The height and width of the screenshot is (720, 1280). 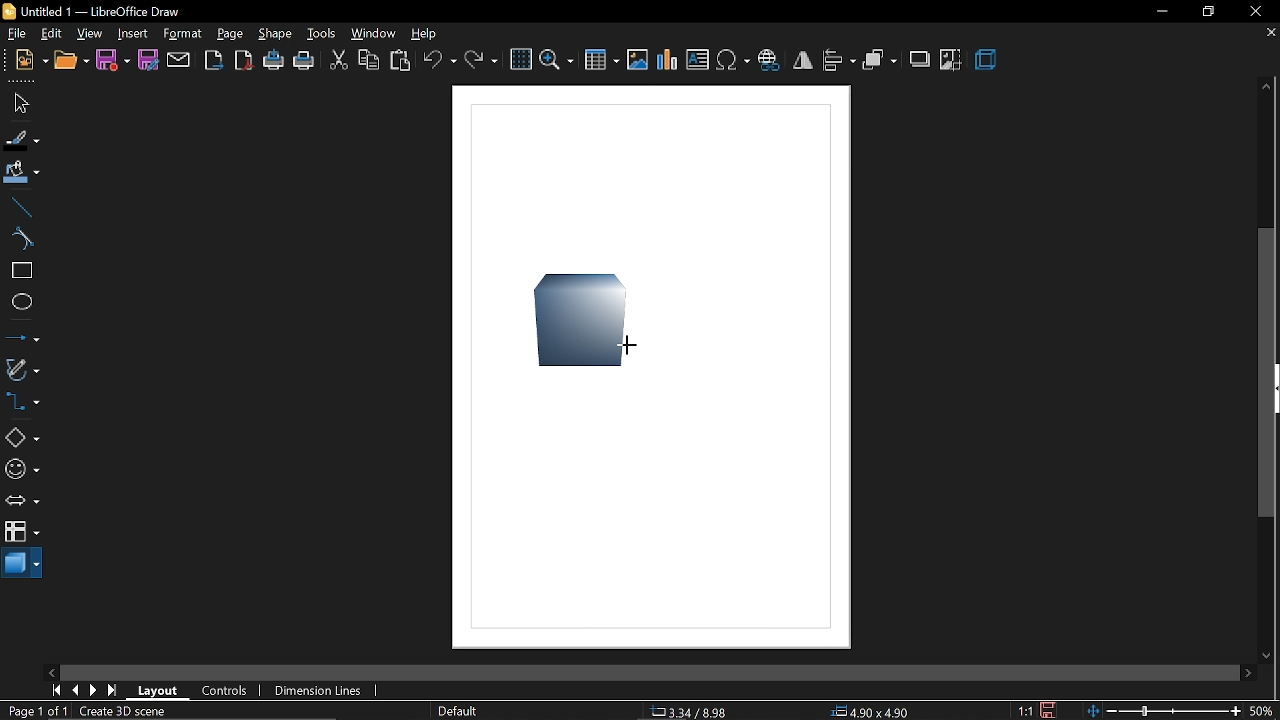 I want to click on shape, so click(x=576, y=318).